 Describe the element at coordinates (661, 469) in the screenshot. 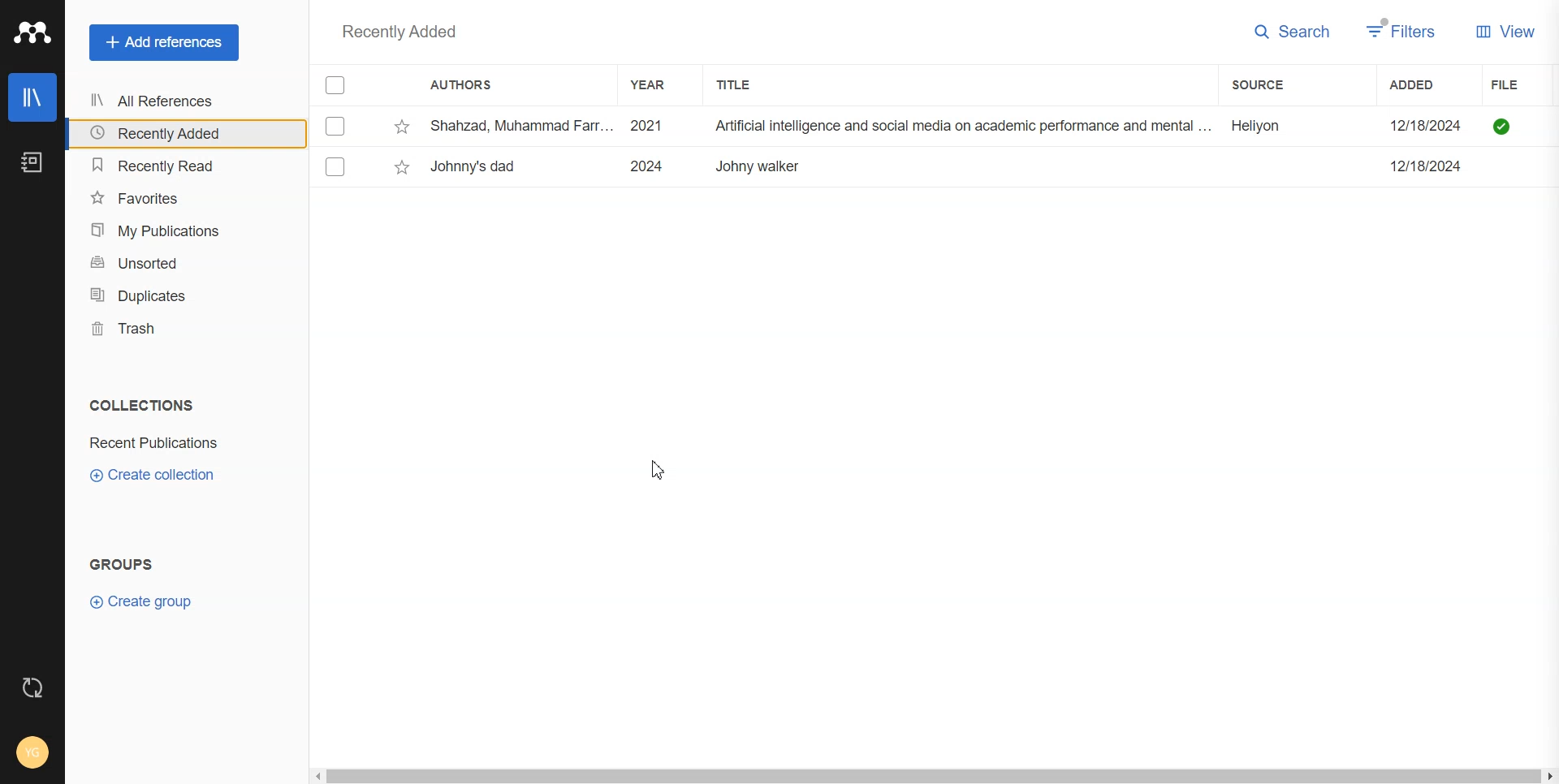

I see `Cursor` at that location.